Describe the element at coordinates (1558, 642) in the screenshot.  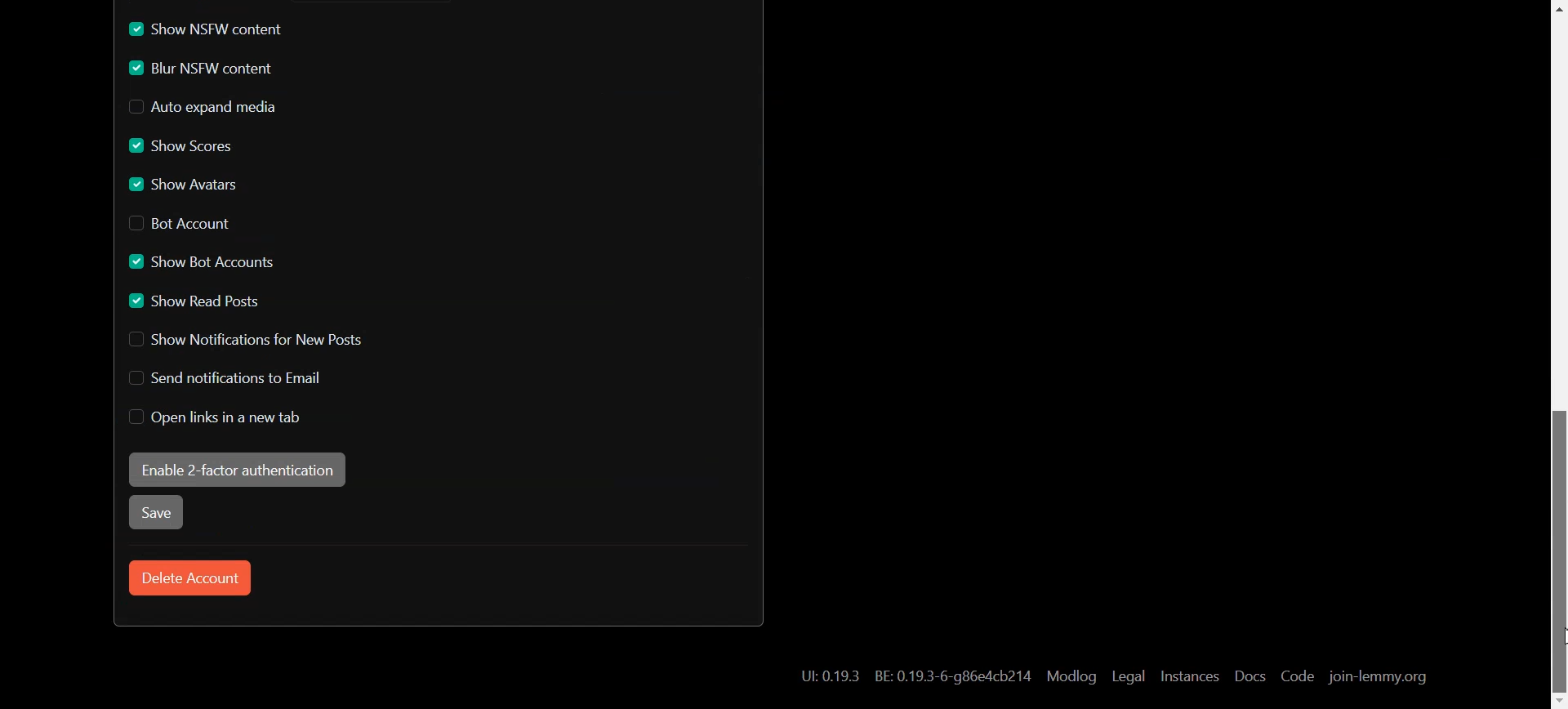
I see `cursor` at that location.